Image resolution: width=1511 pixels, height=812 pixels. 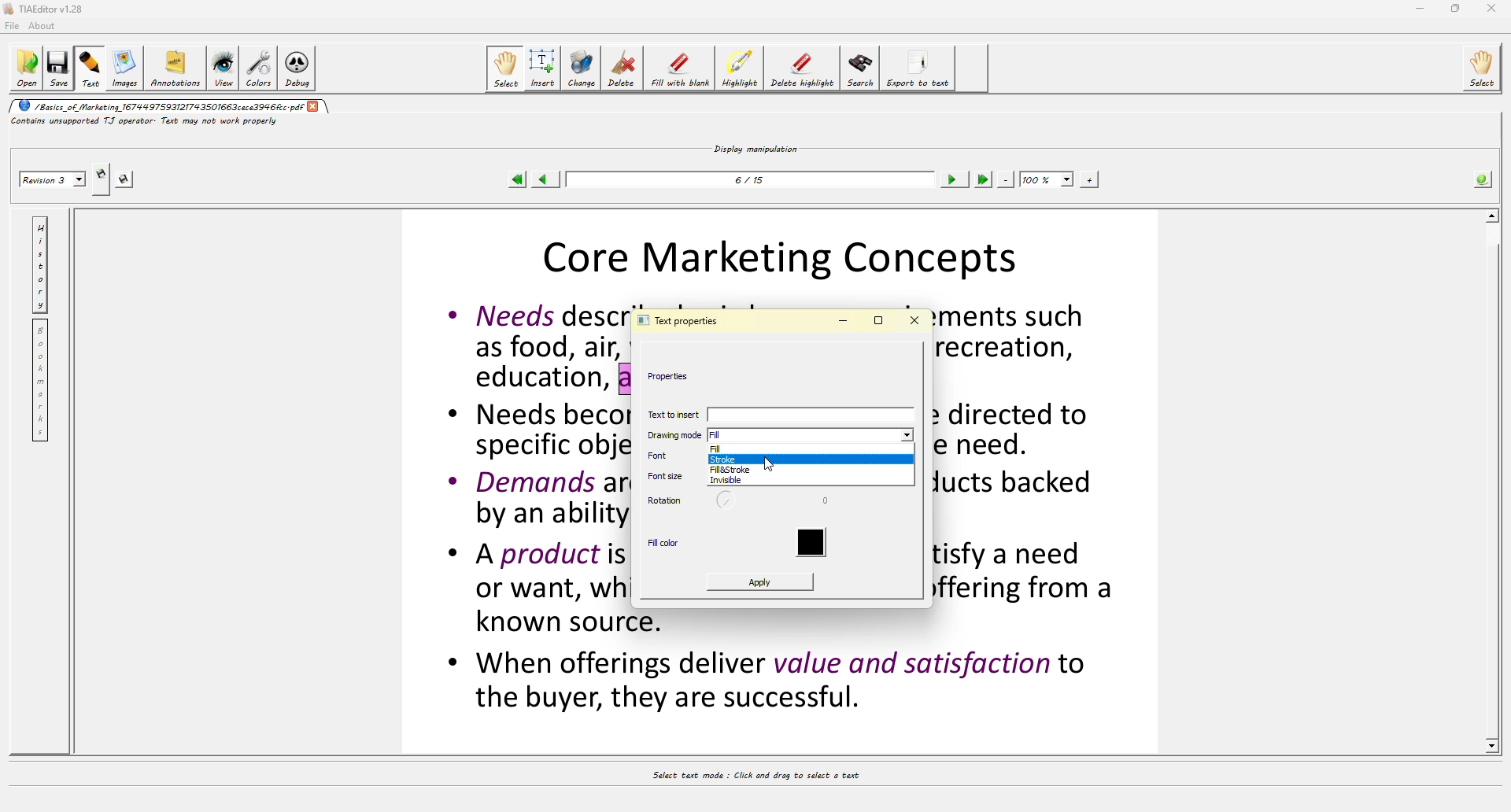 What do you see at coordinates (672, 437) in the screenshot?
I see `drawing mode` at bounding box center [672, 437].